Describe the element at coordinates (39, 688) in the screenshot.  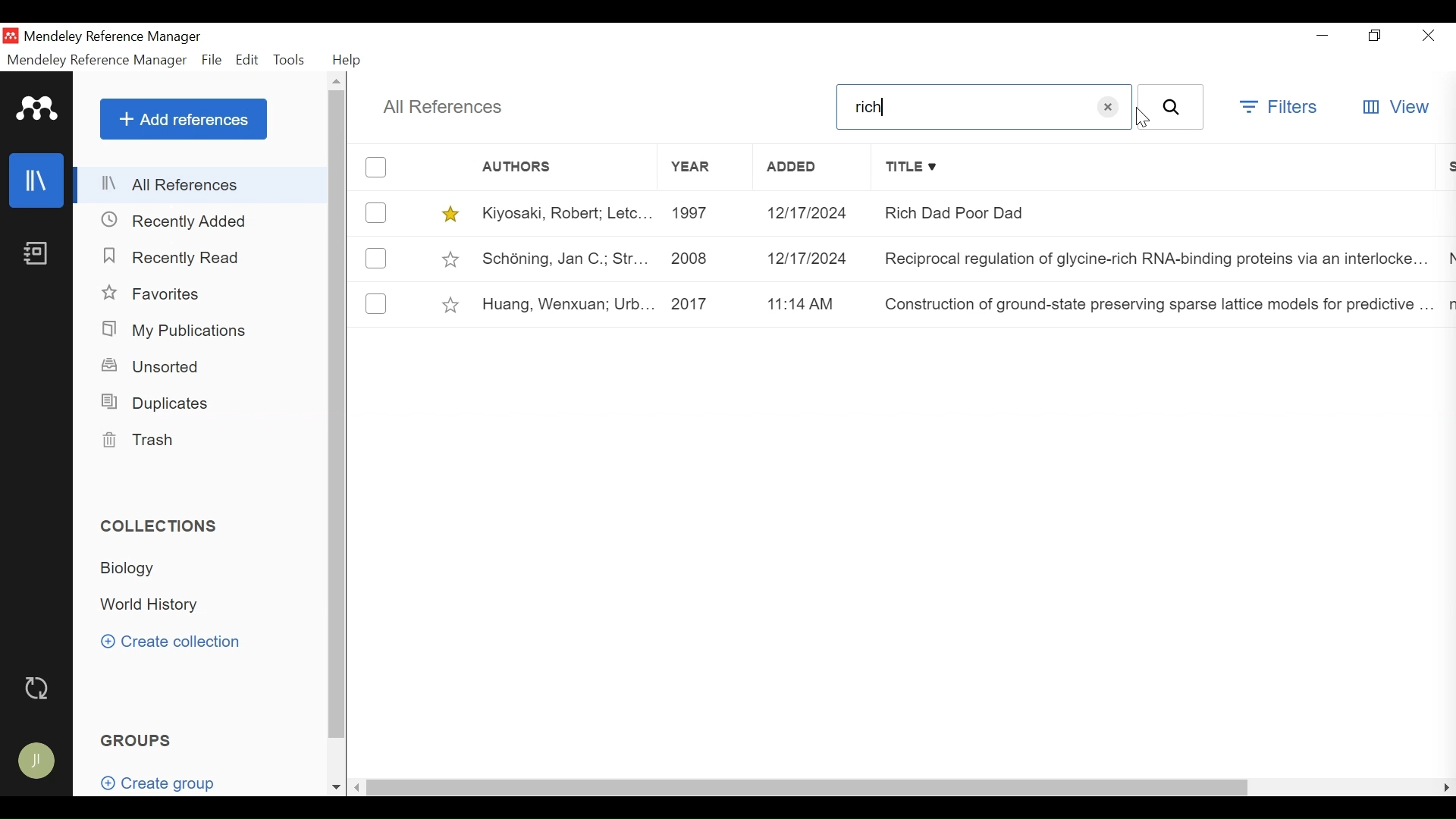
I see `Sync` at that location.